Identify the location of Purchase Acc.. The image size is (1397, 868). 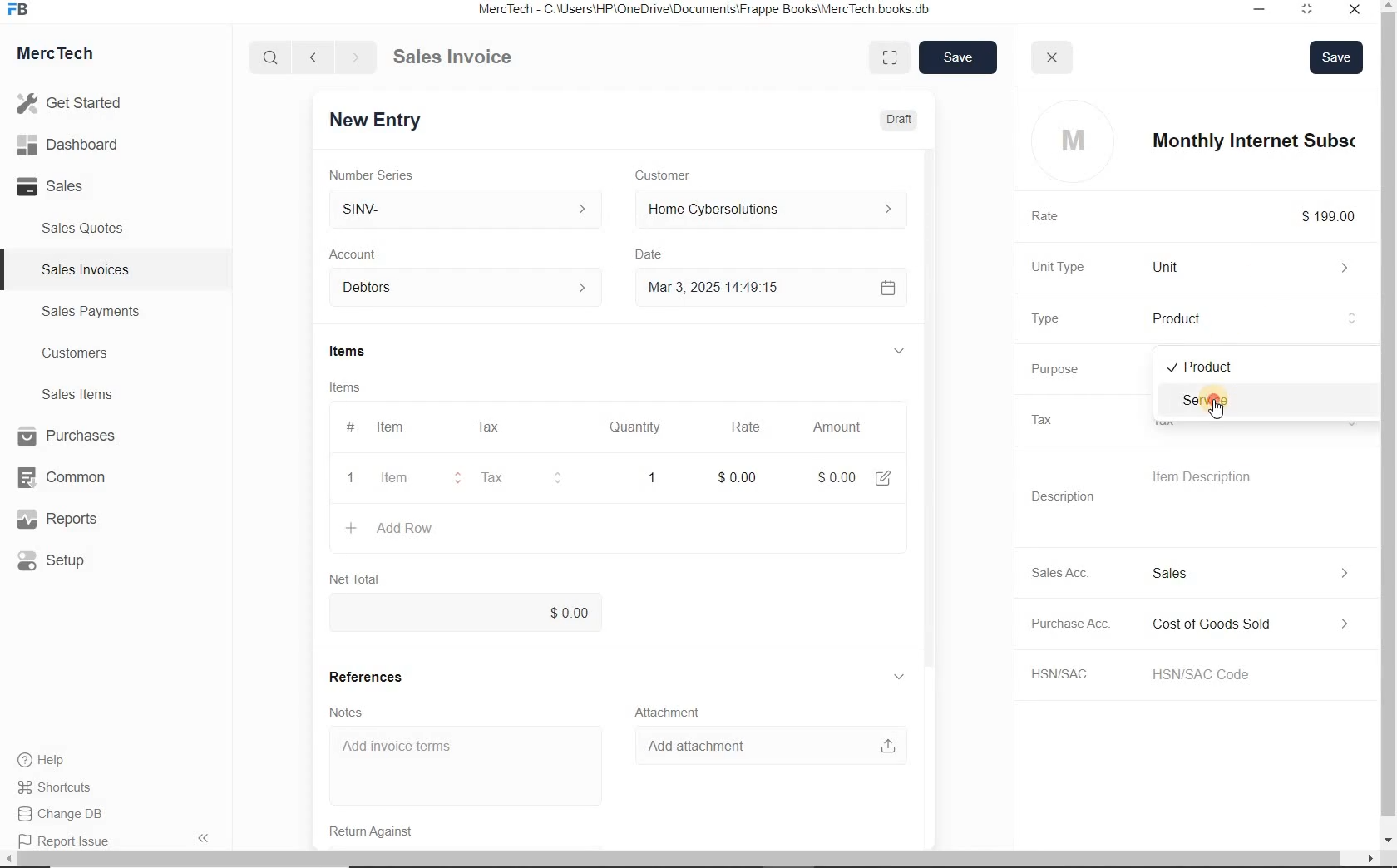
(1081, 625).